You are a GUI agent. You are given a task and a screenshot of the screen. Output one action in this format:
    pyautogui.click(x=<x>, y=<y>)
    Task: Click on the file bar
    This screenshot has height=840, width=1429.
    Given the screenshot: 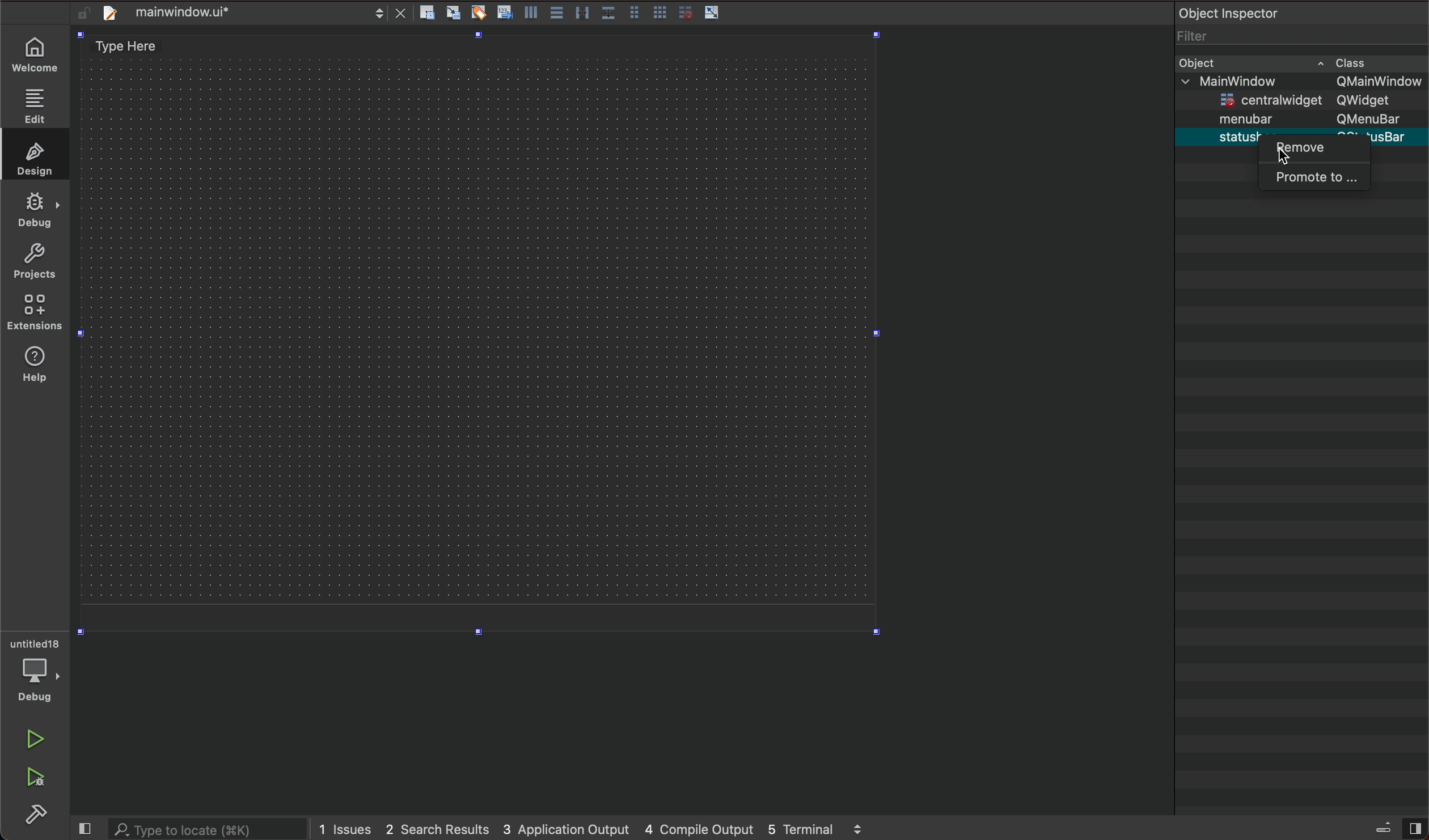 What is the action you would take?
    pyautogui.click(x=193, y=14)
    